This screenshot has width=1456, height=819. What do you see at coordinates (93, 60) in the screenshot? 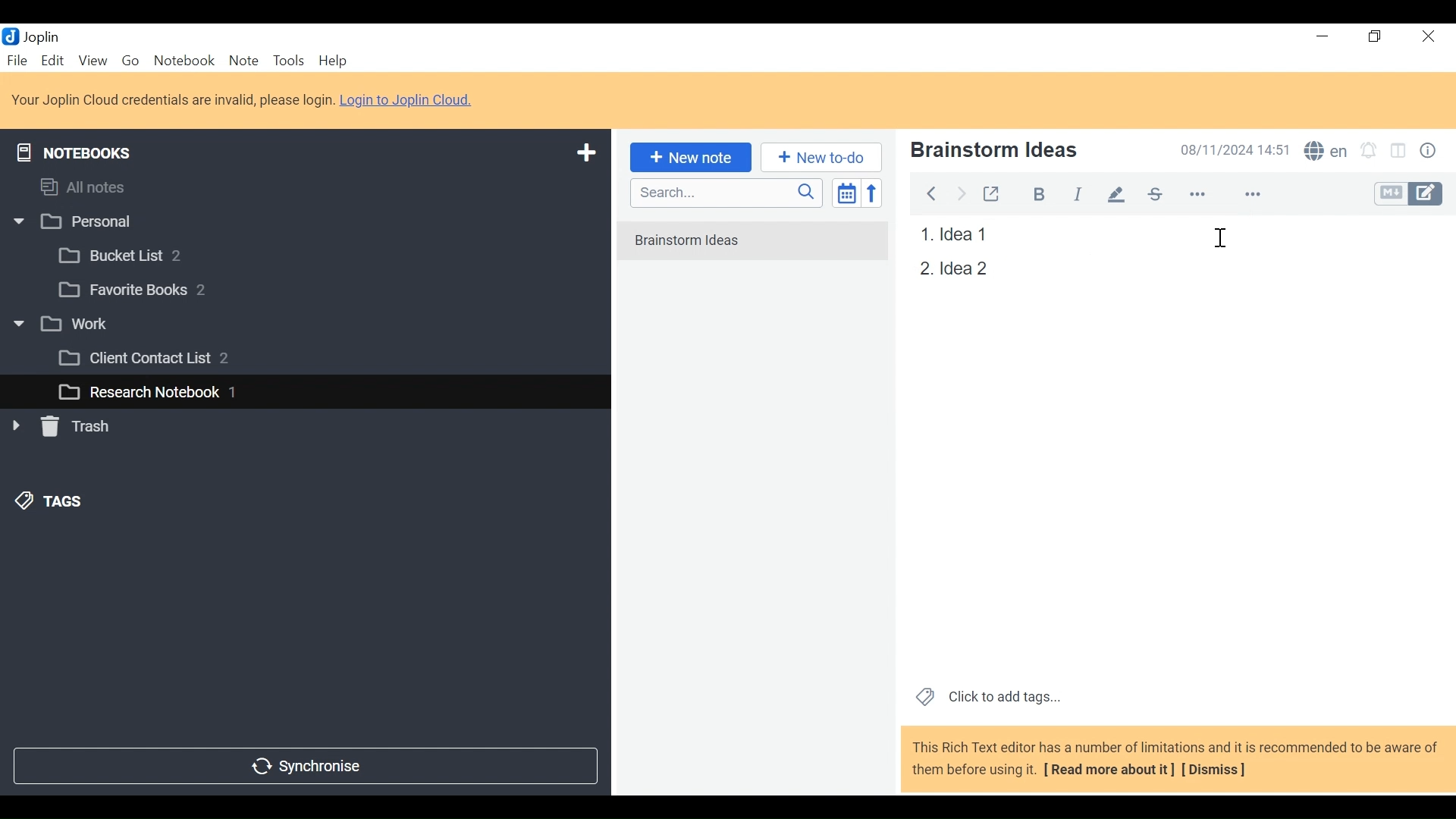
I see `View` at bounding box center [93, 60].